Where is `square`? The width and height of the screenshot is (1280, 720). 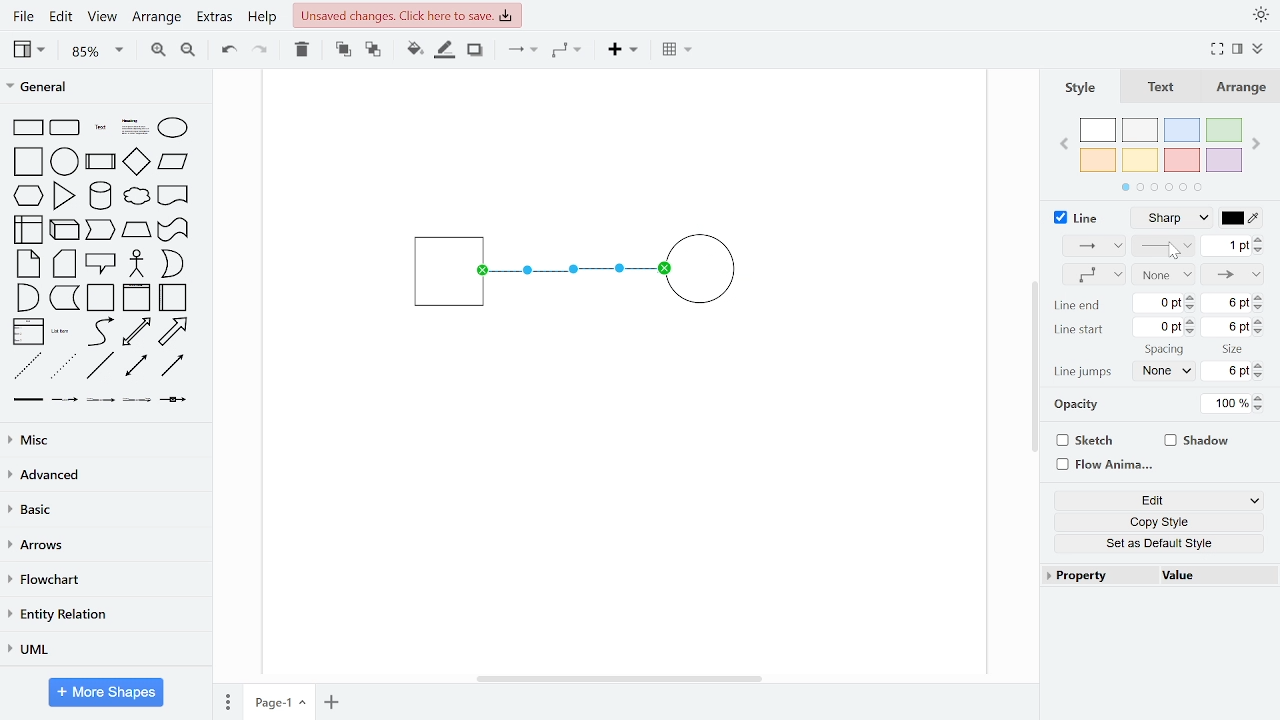
square is located at coordinates (30, 163).